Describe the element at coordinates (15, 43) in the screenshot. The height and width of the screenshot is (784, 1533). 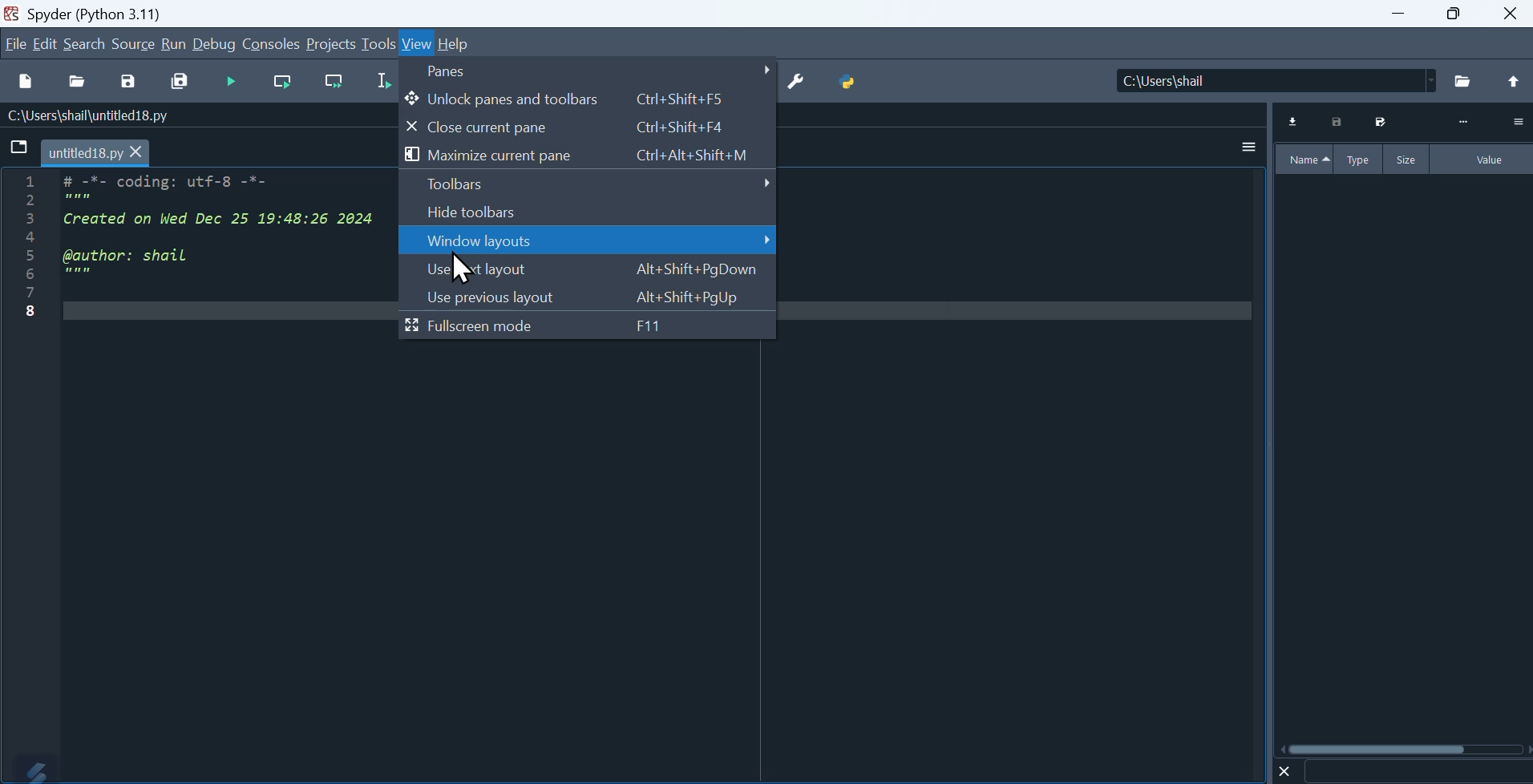
I see `File` at that location.